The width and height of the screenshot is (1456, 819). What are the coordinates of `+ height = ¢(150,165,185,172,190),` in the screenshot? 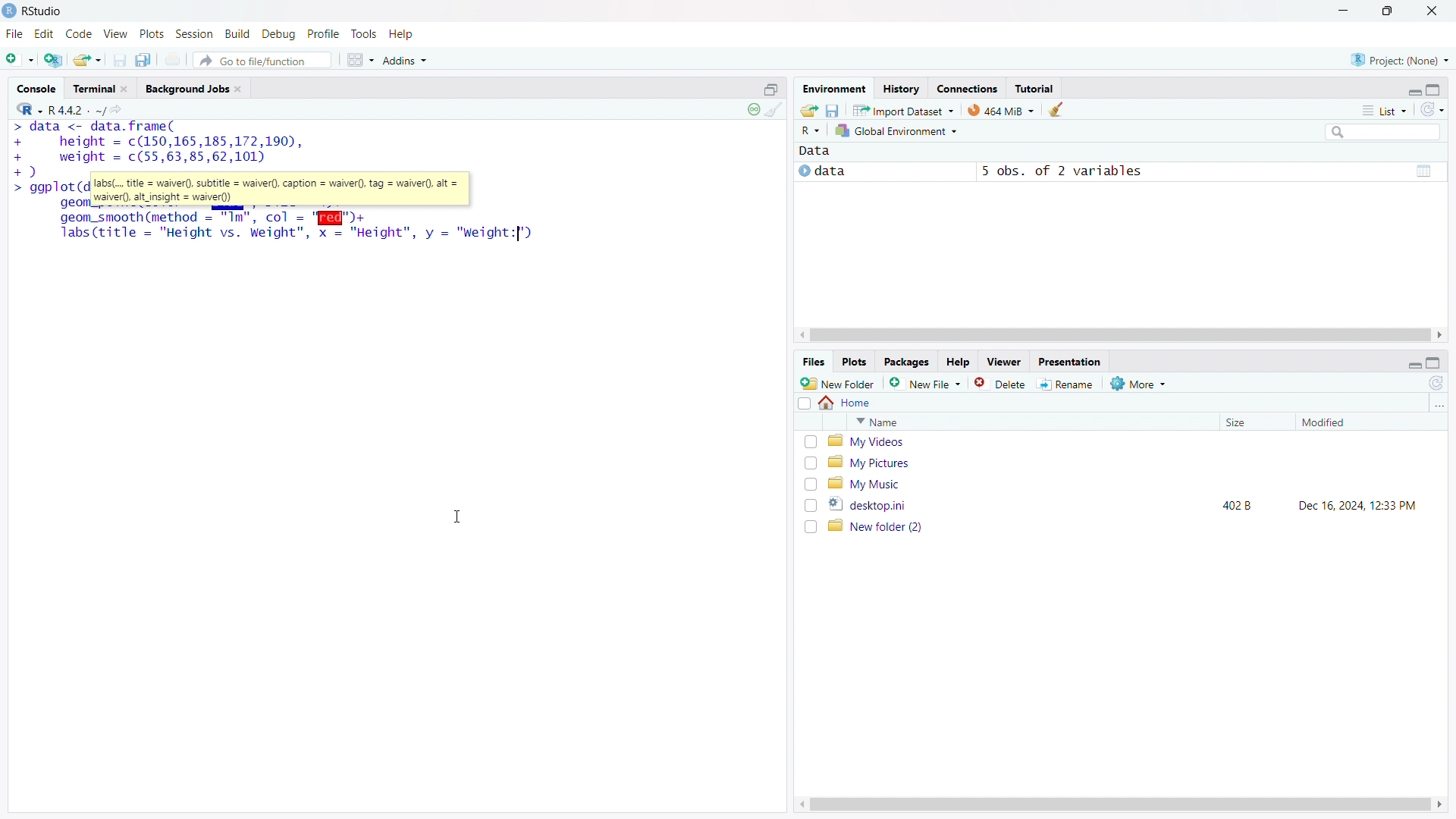 It's located at (158, 142).